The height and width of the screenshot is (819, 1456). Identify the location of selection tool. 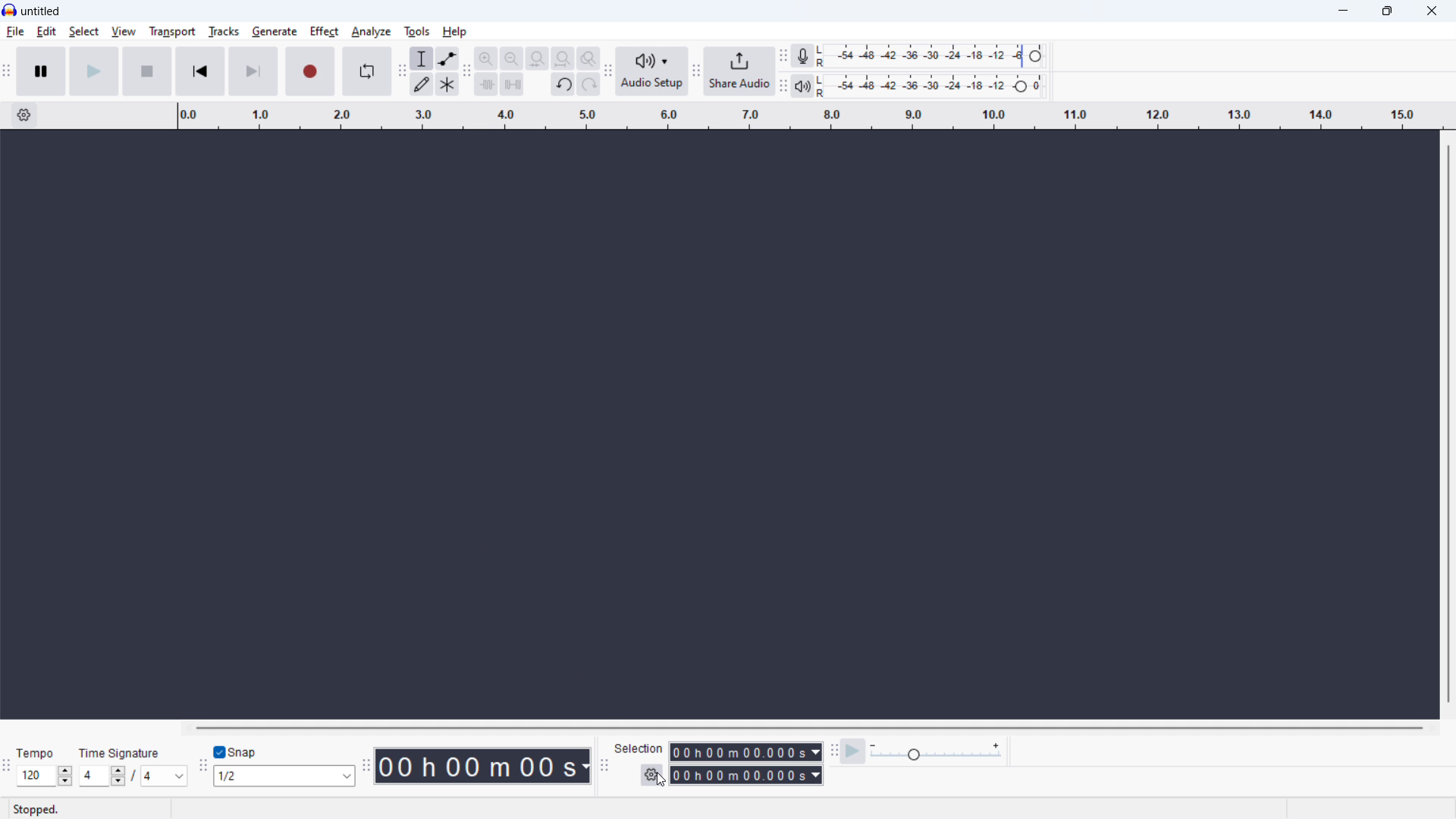
(421, 58).